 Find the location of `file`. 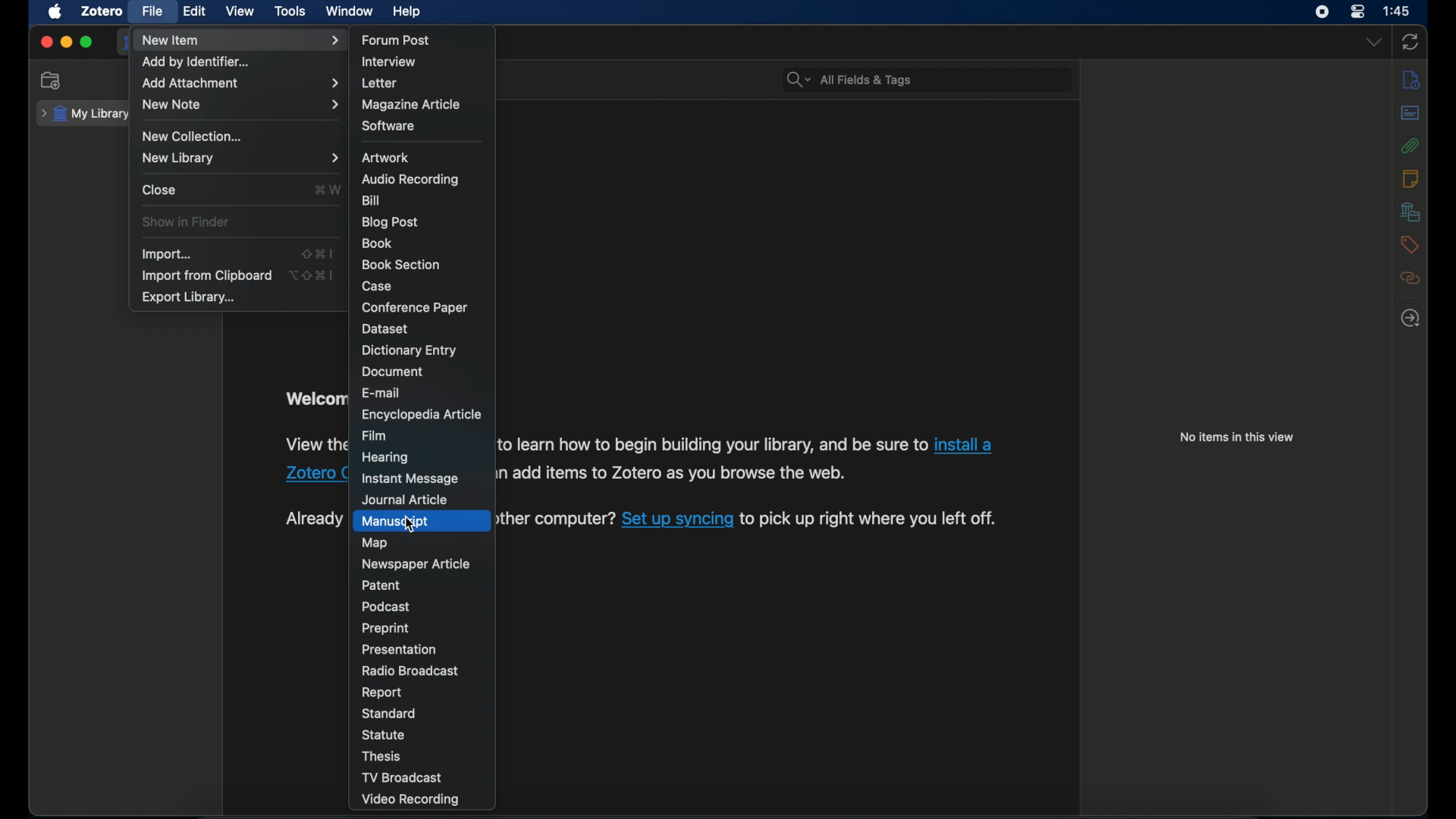

file is located at coordinates (153, 11).